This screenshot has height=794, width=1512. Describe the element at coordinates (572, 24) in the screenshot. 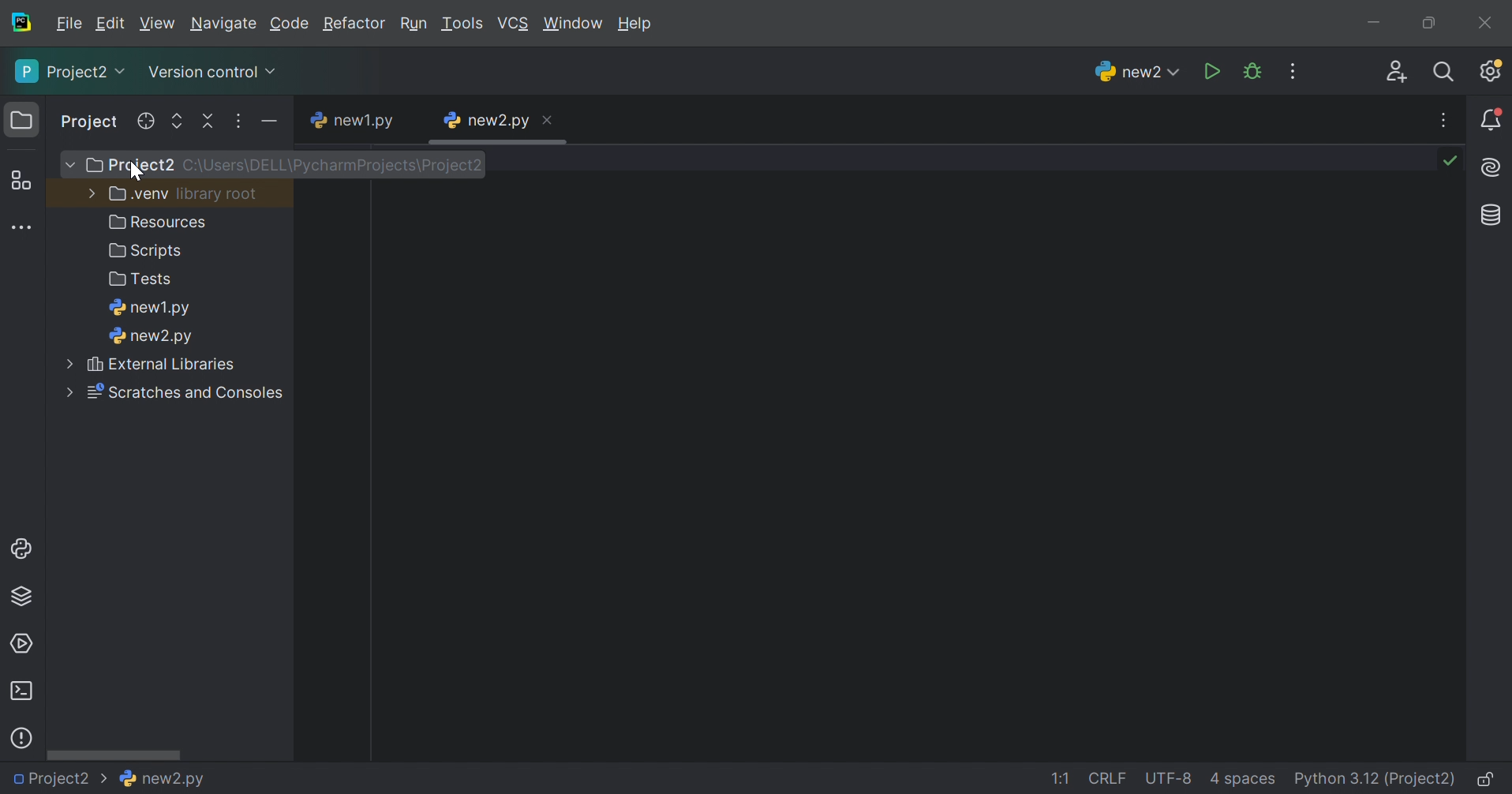

I see `Window` at that location.